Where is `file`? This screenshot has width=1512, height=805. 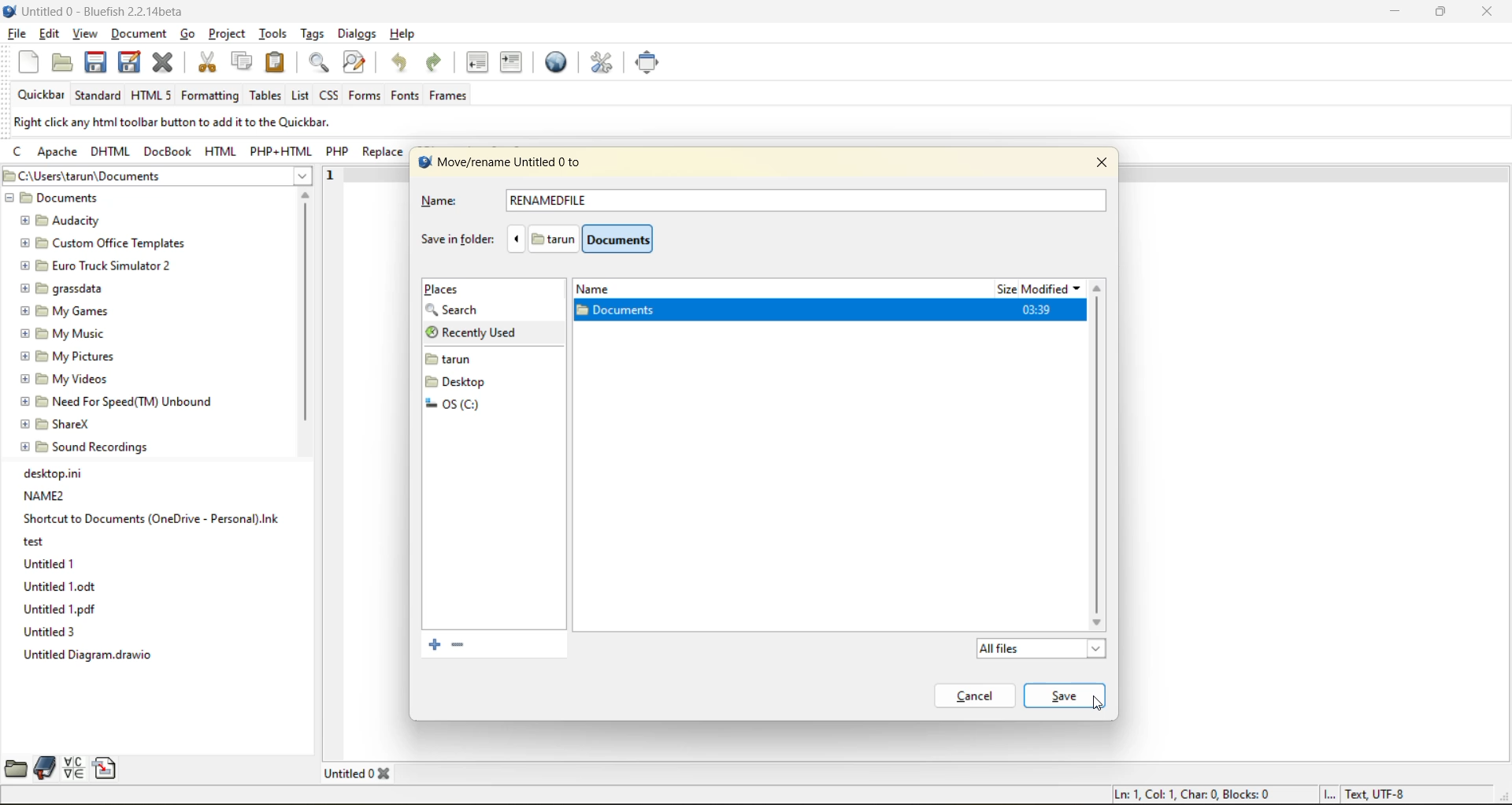
file is located at coordinates (20, 37).